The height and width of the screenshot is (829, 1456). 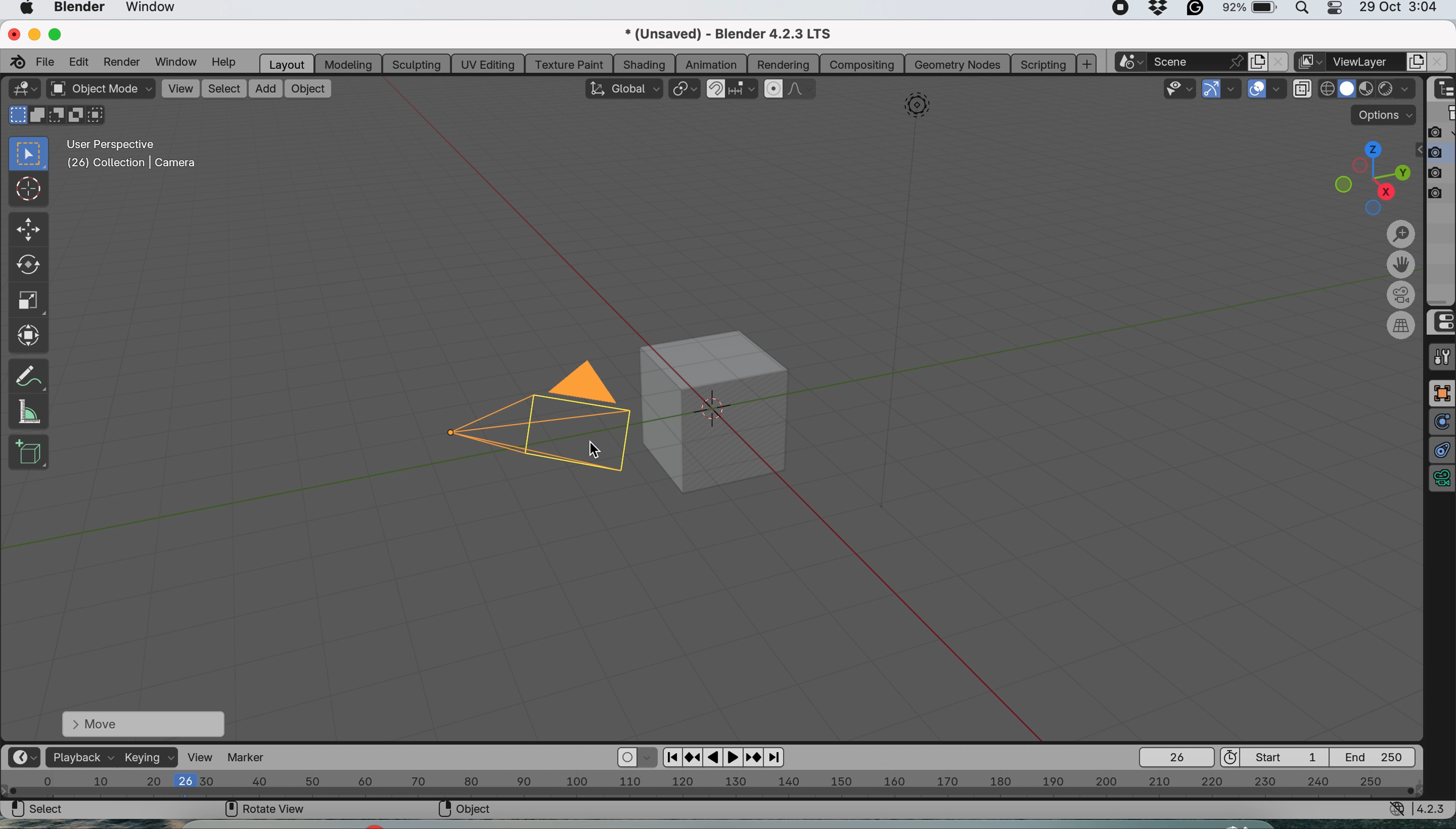 What do you see at coordinates (28, 302) in the screenshot?
I see `scale` at bounding box center [28, 302].